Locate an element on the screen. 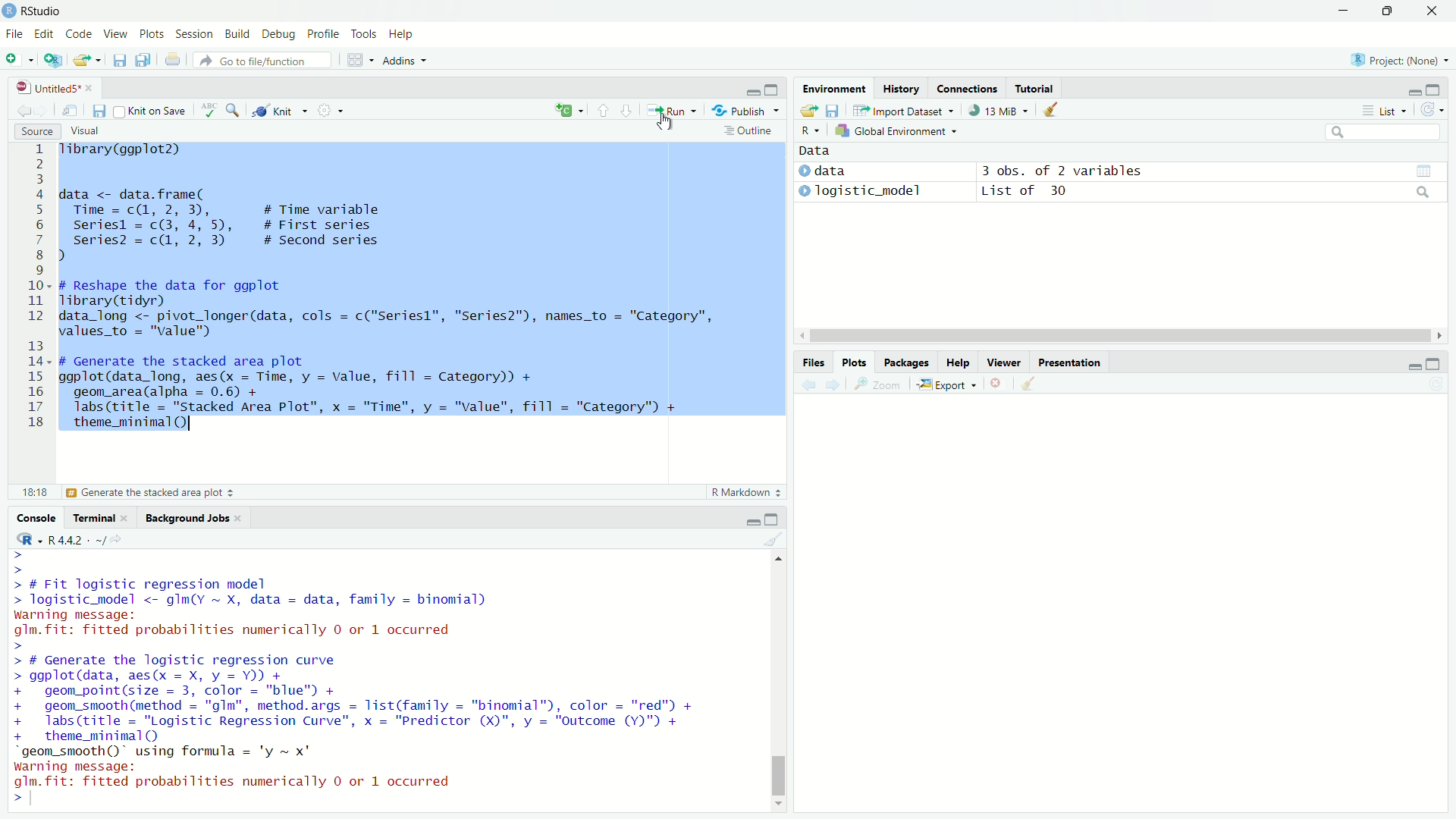 This screenshot has height=819, width=1456. Addins is located at coordinates (400, 61).